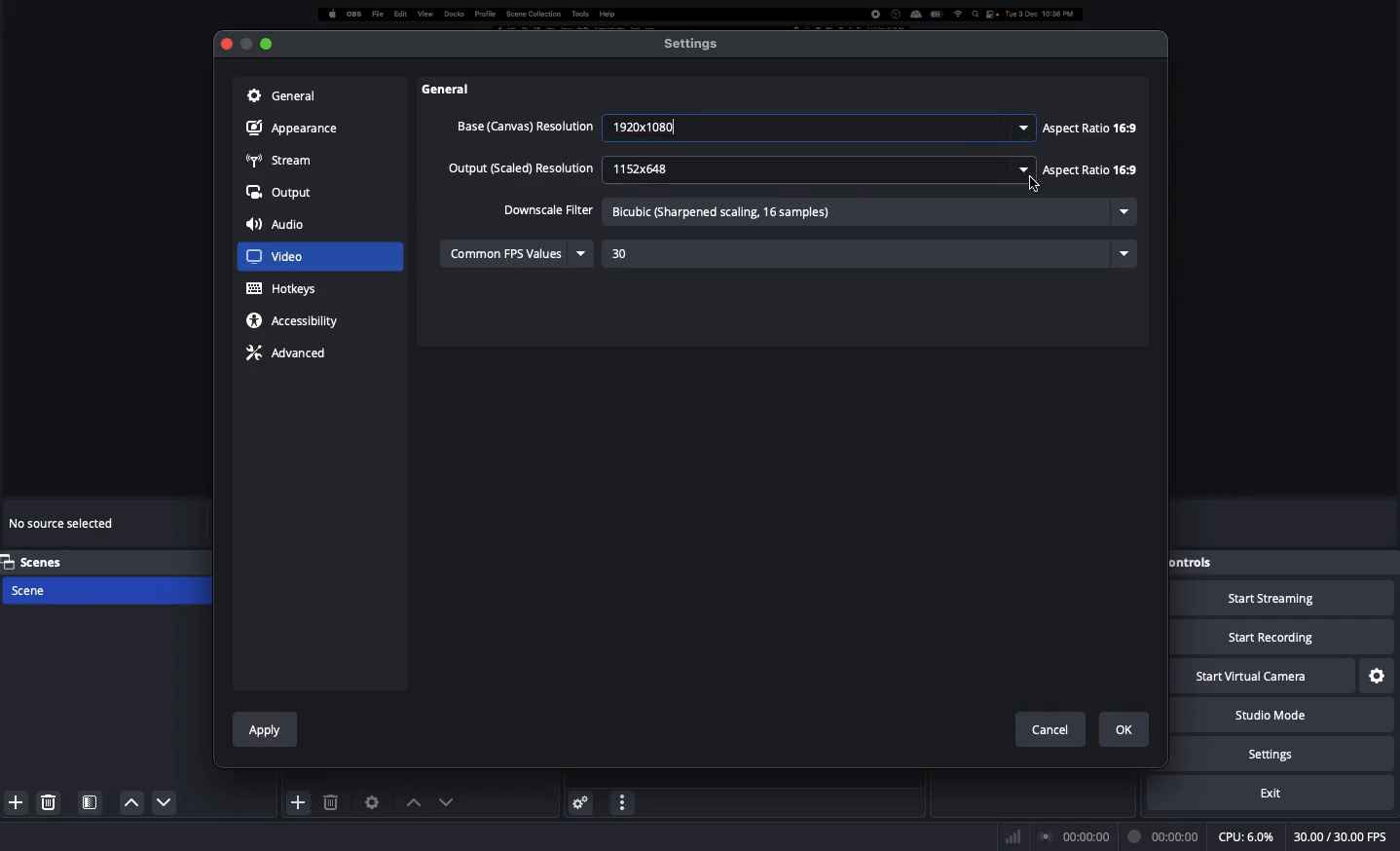 The image size is (1400, 851). I want to click on Move up, so click(410, 802).